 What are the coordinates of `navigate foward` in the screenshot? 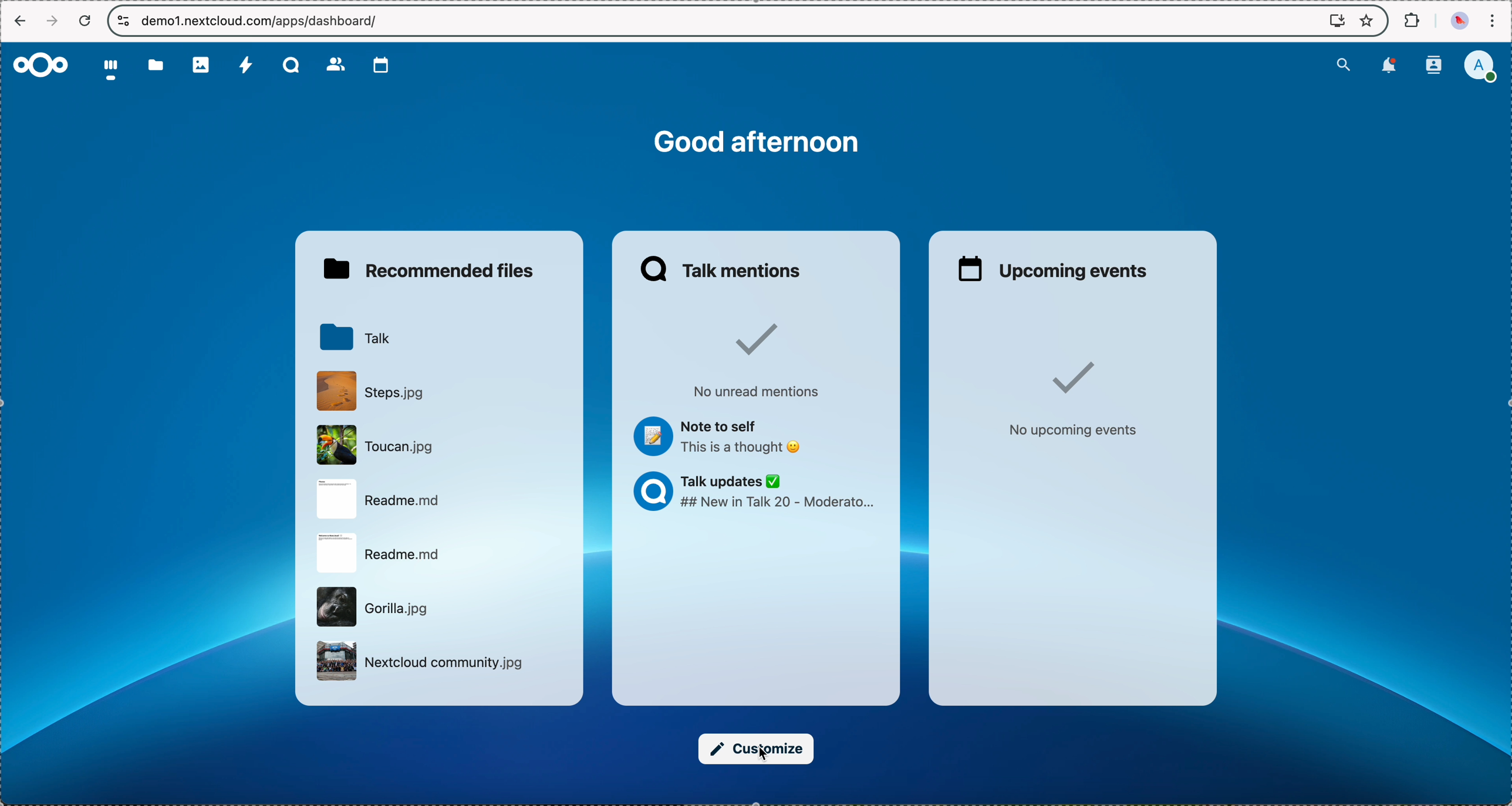 It's located at (55, 20).